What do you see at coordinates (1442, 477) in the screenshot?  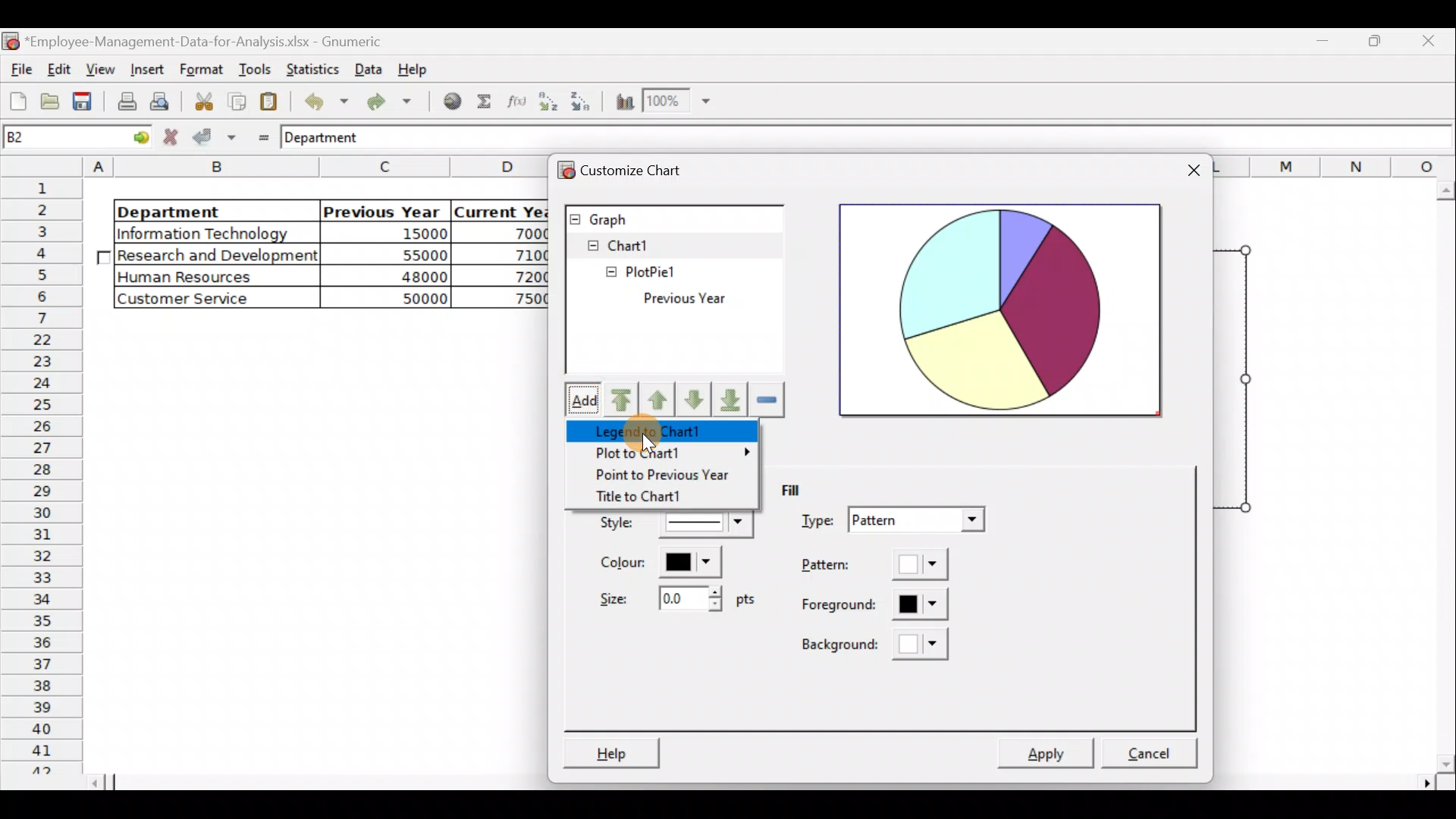 I see `Scroll bar` at bounding box center [1442, 477].